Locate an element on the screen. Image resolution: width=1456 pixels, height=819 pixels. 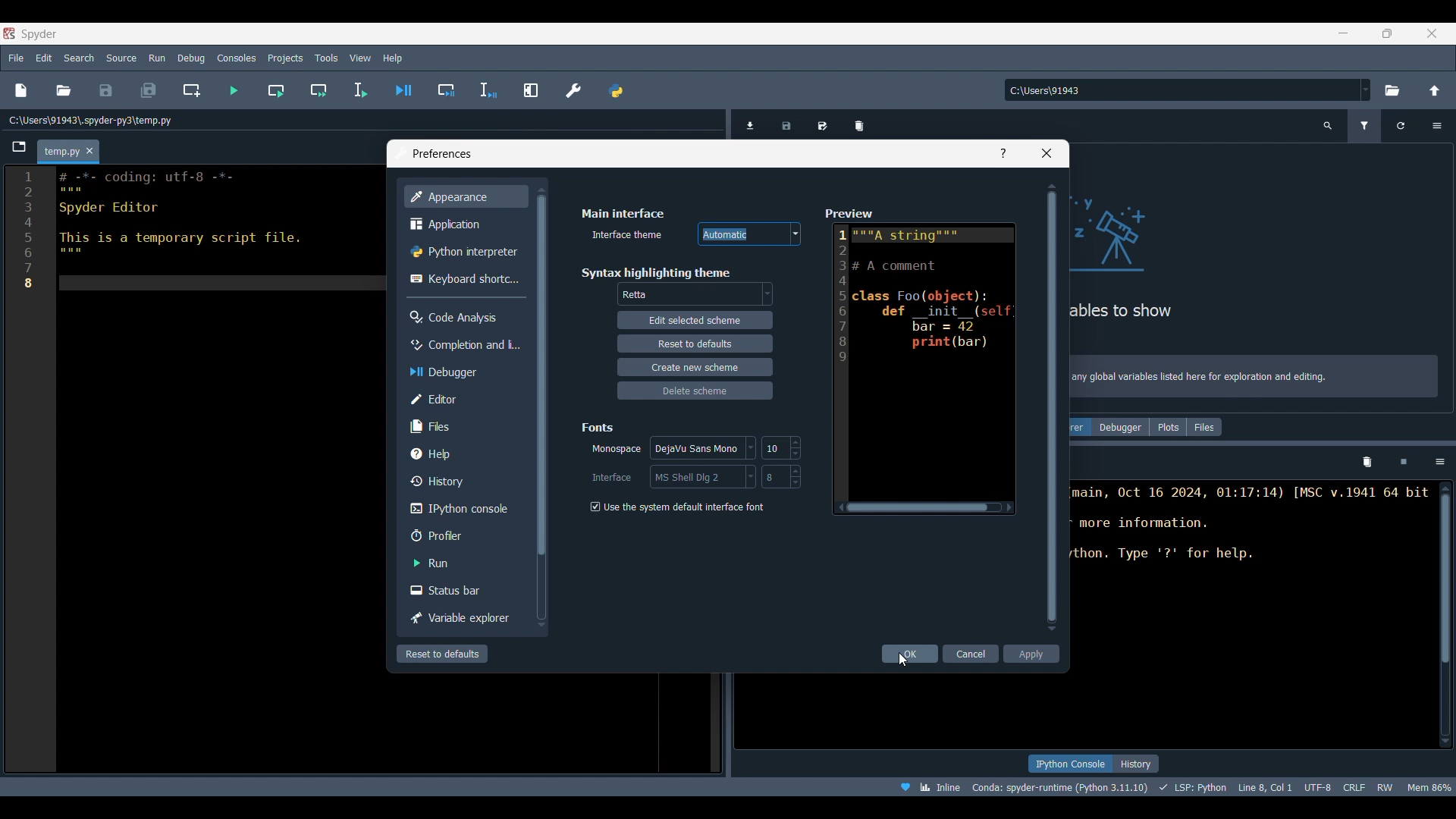
Run is located at coordinates (463, 563).